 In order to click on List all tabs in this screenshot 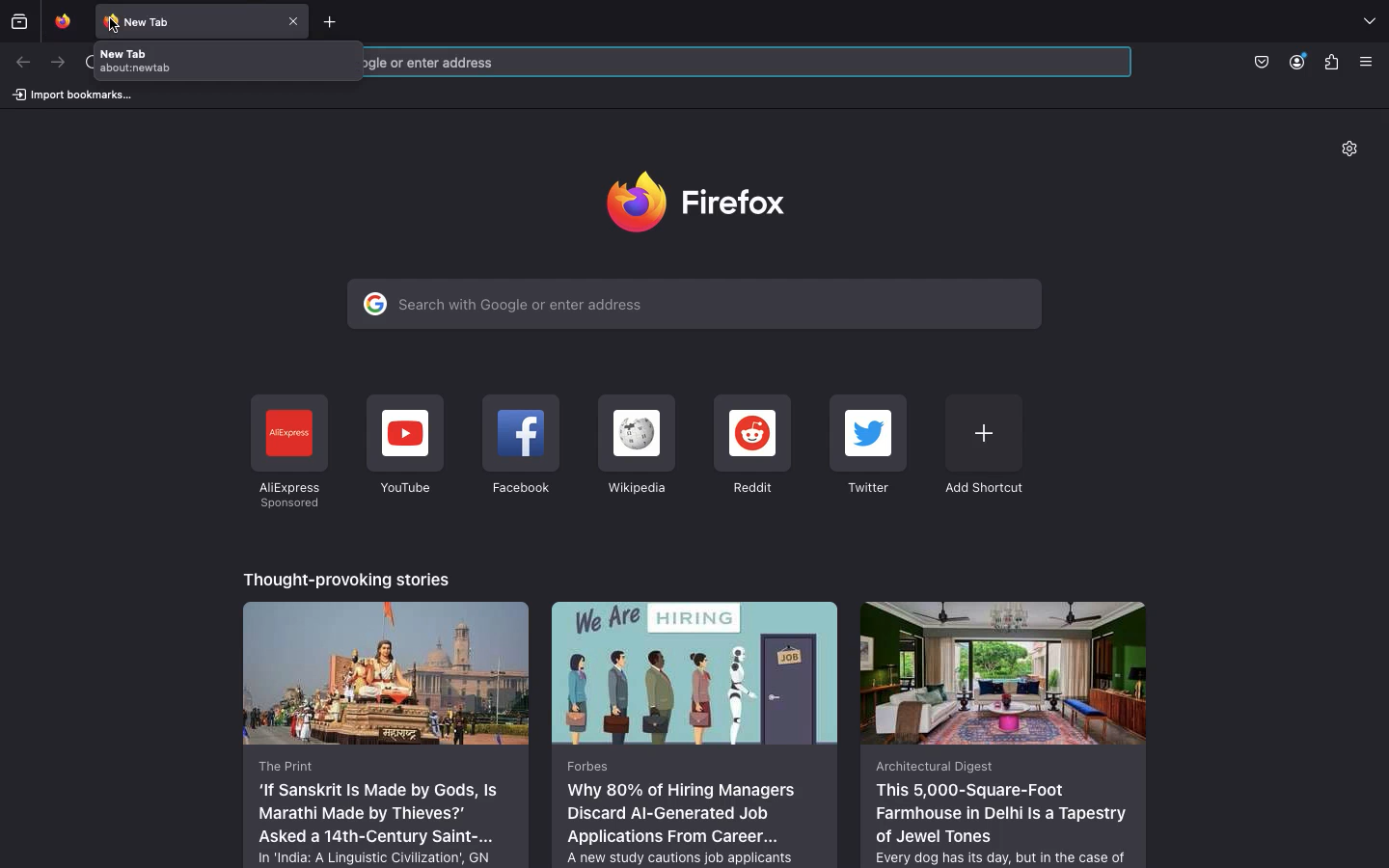, I will do `click(1369, 22)`.